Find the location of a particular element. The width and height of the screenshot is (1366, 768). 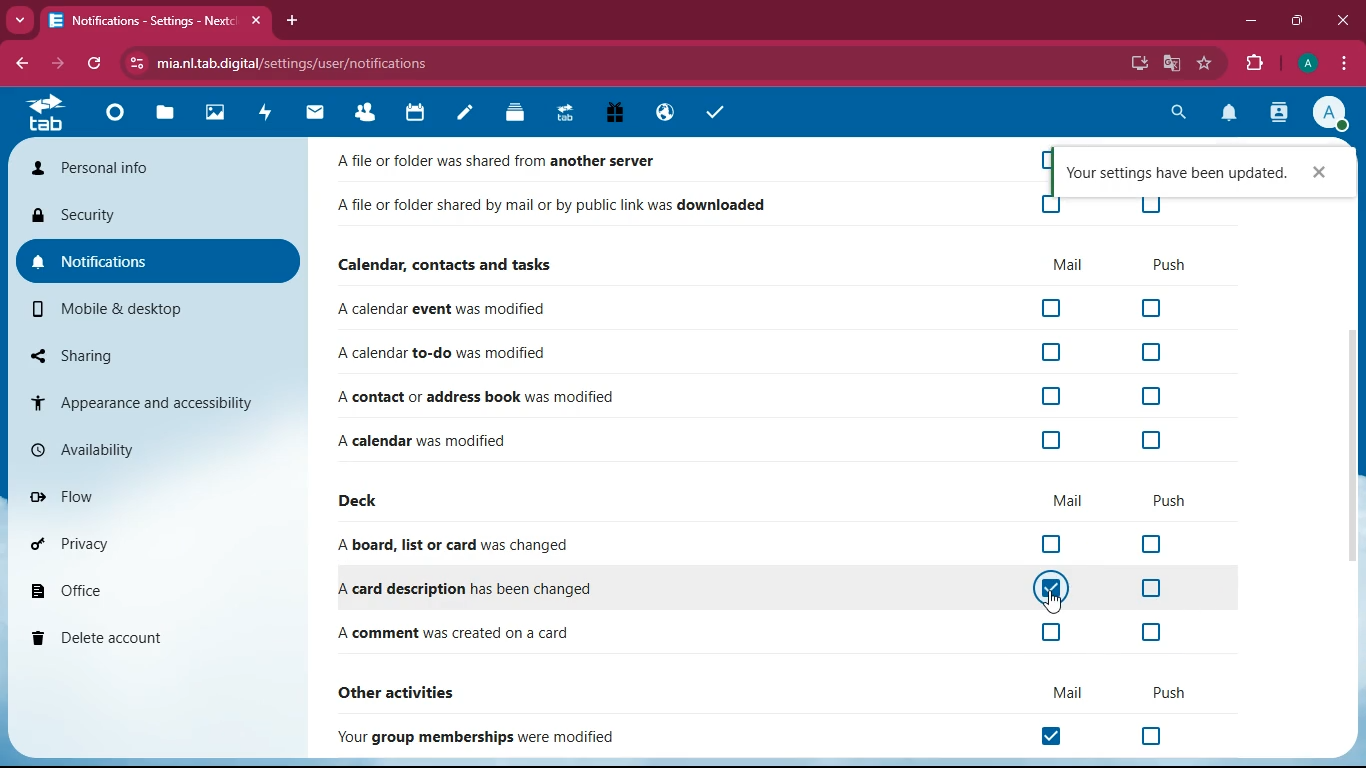

push is located at coordinates (1171, 264).